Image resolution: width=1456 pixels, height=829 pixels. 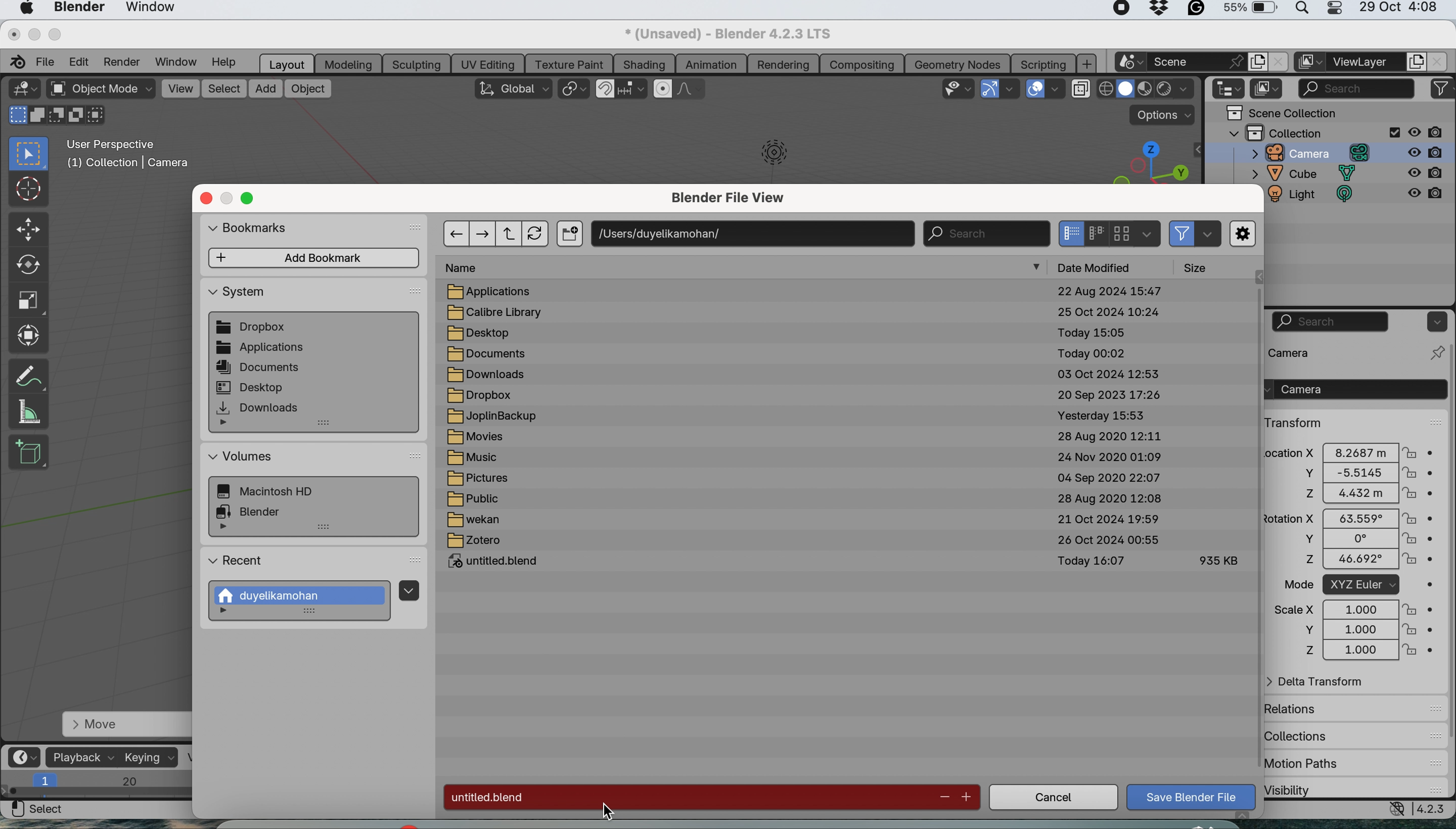 What do you see at coordinates (1414, 63) in the screenshot?
I see `add view layer` at bounding box center [1414, 63].